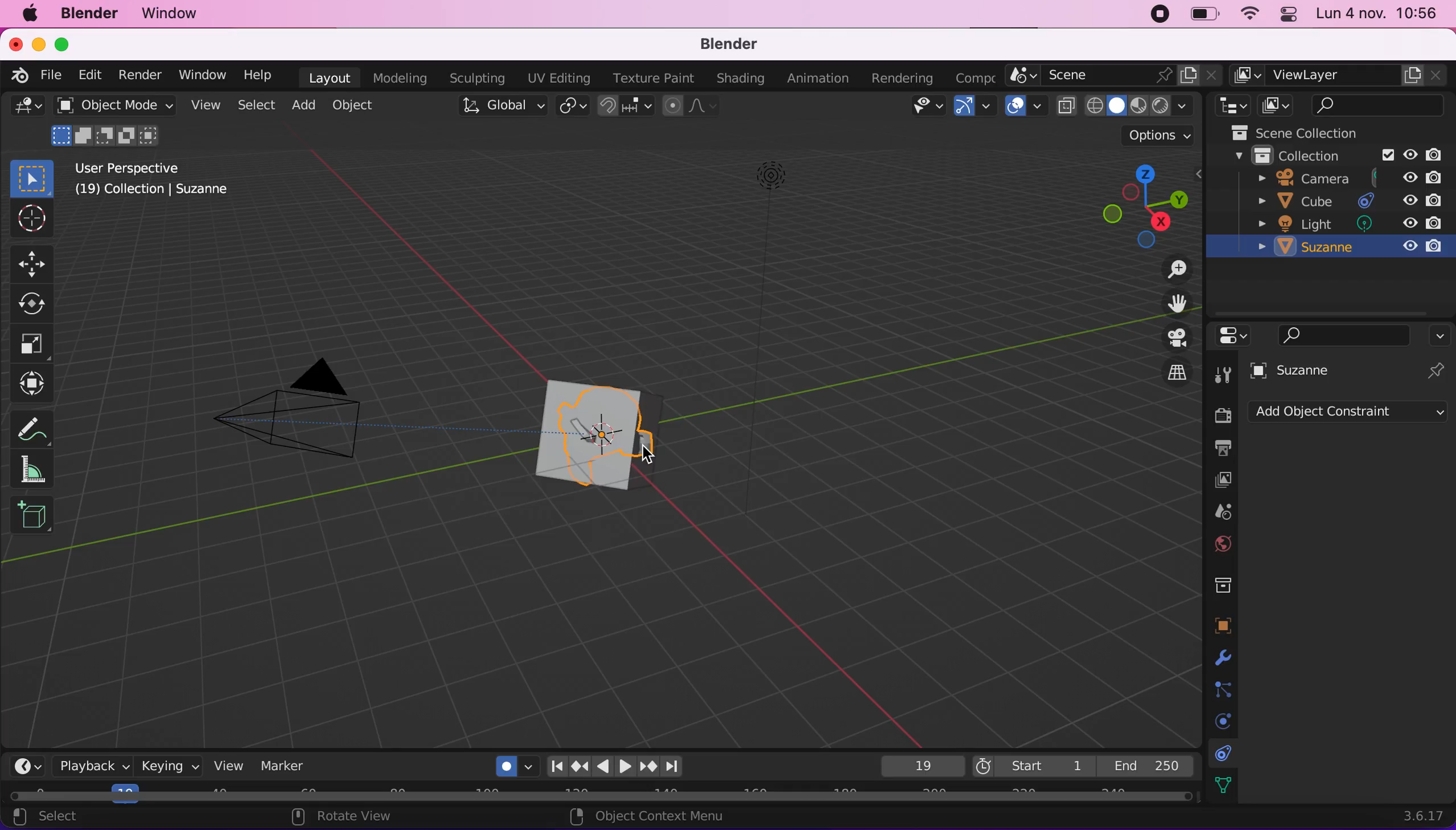  What do you see at coordinates (1346, 334) in the screenshot?
I see `search` at bounding box center [1346, 334].